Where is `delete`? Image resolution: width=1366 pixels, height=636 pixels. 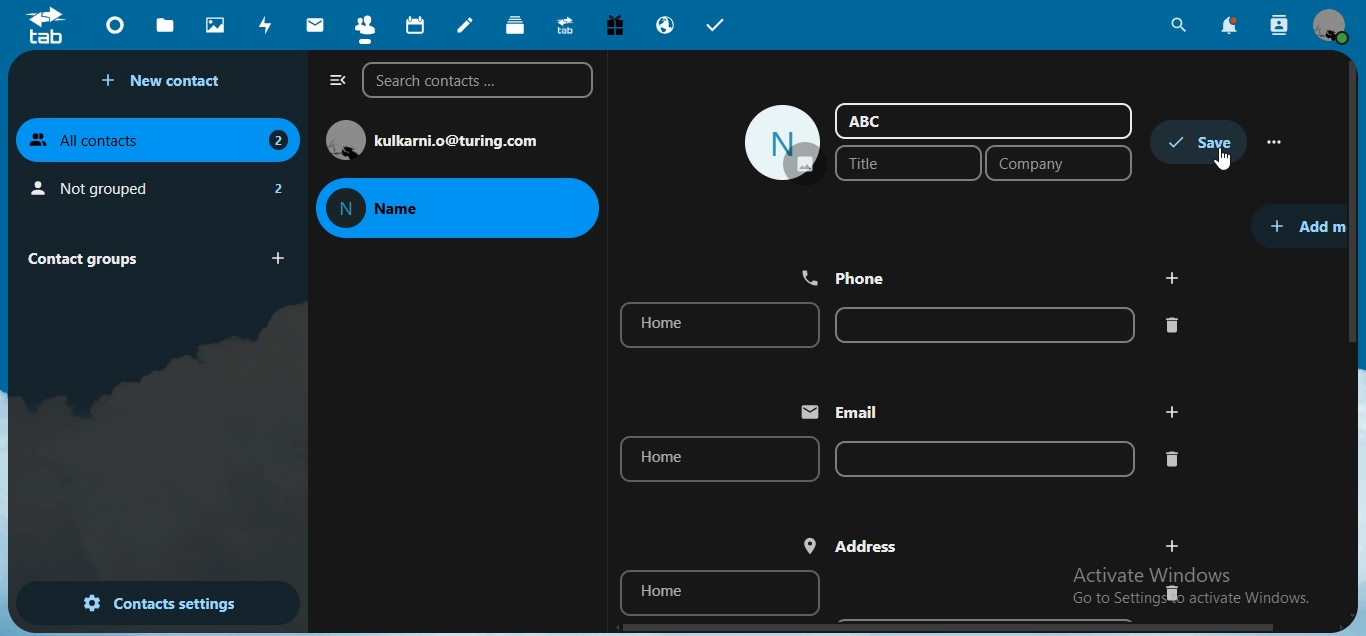 delete is located at coordinates (1172, 459).